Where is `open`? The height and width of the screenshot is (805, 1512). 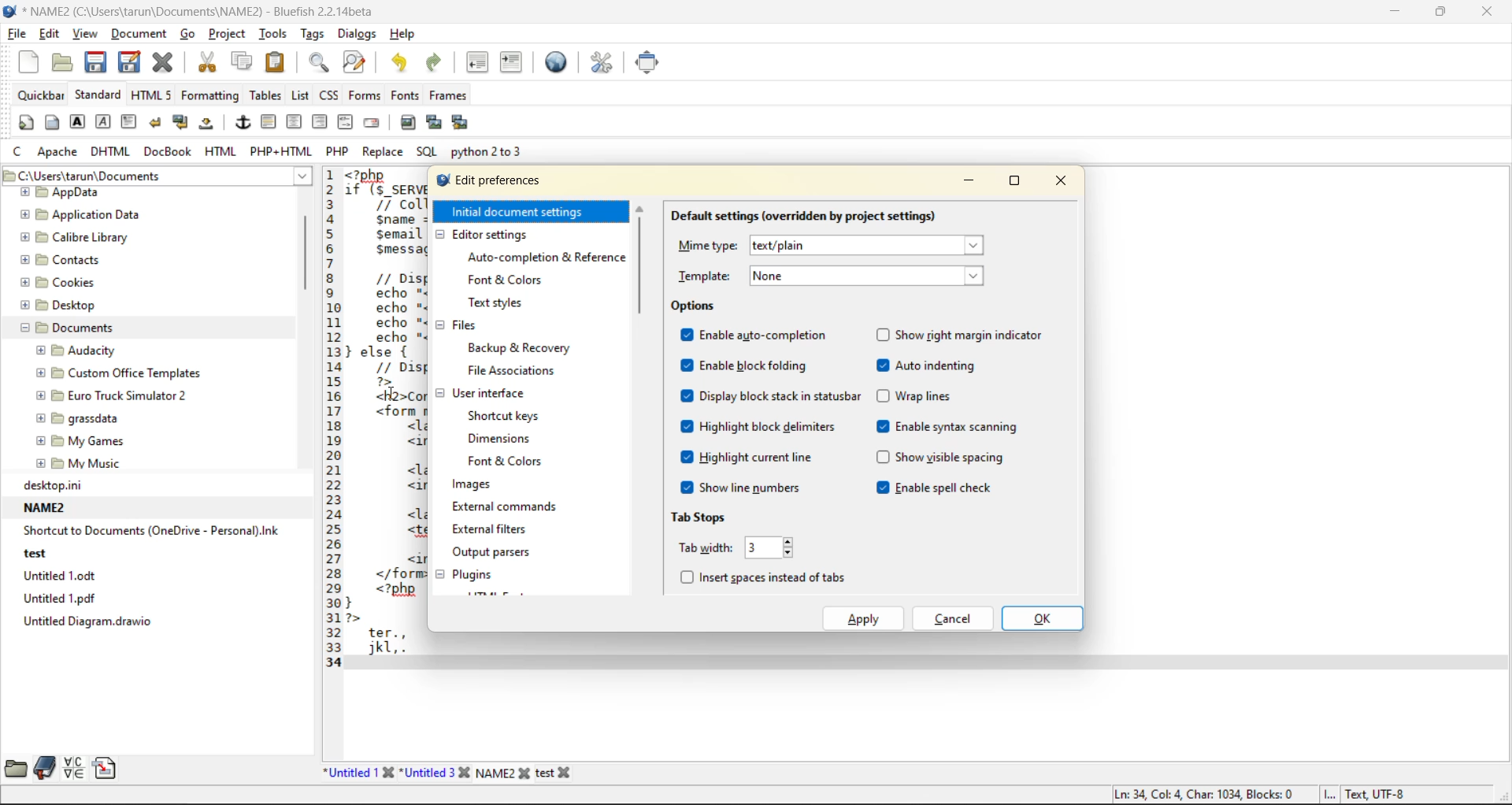 open is located at coordinates (65, 61).